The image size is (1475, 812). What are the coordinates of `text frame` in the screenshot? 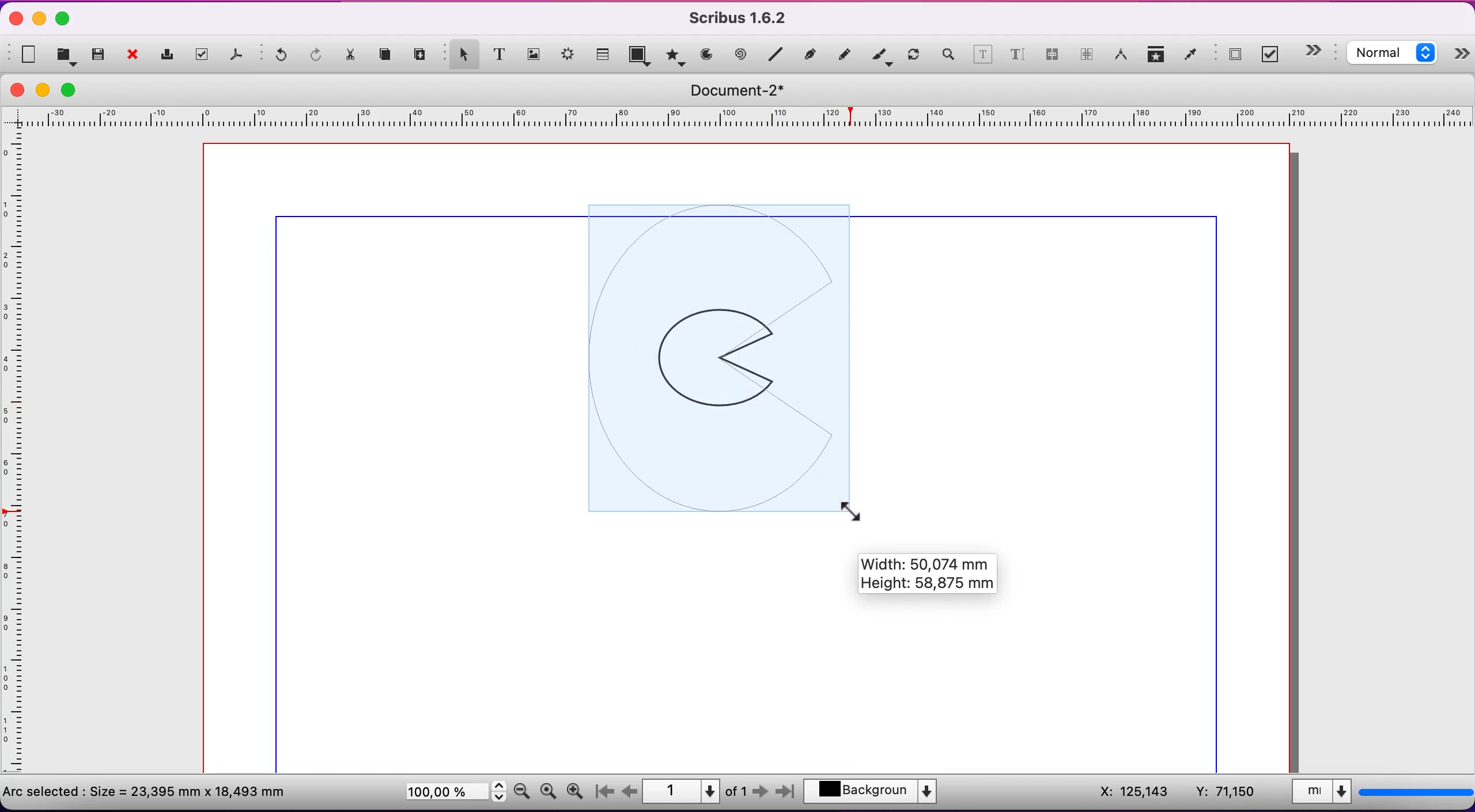 It's located at (500, 54).